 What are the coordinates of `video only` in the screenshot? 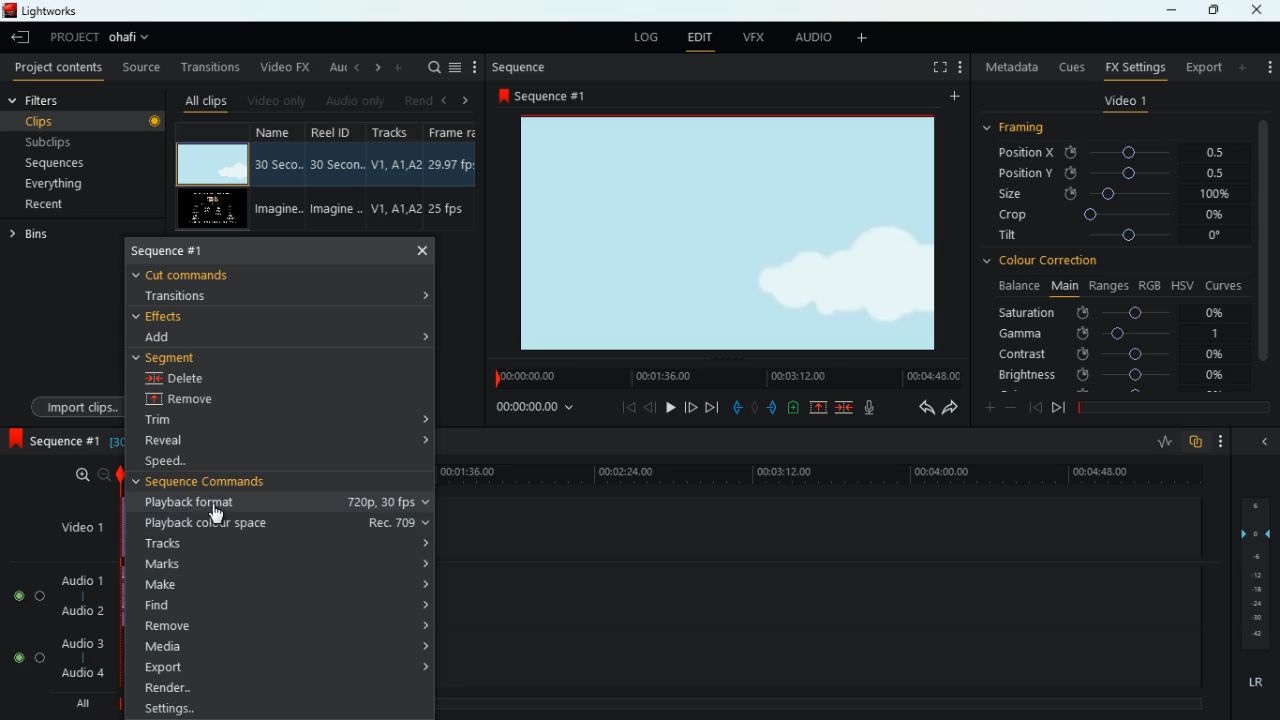 It's located at (277, 102).